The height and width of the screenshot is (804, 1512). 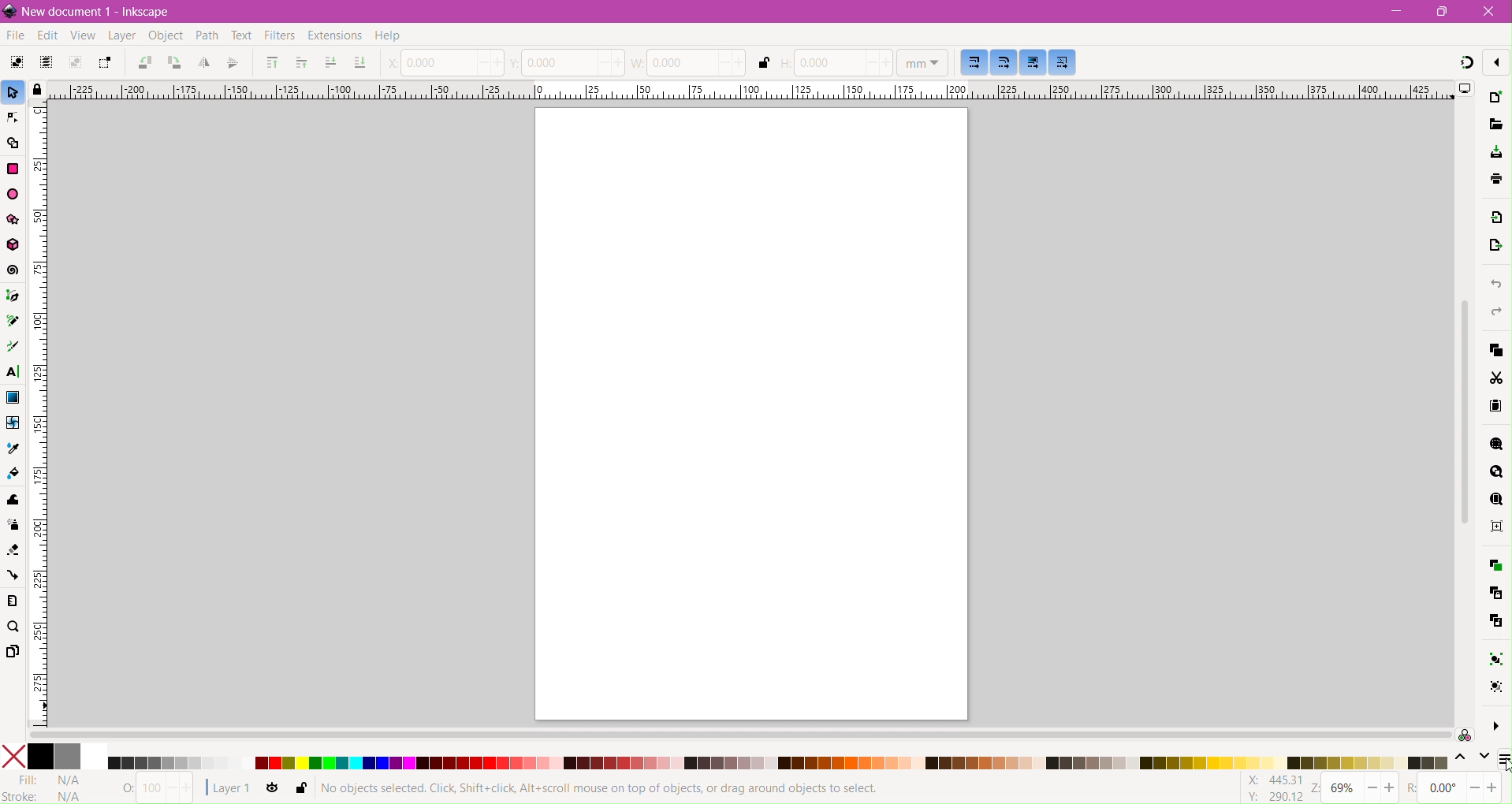 I want to click on Cut, so click(x=1496, y=378).